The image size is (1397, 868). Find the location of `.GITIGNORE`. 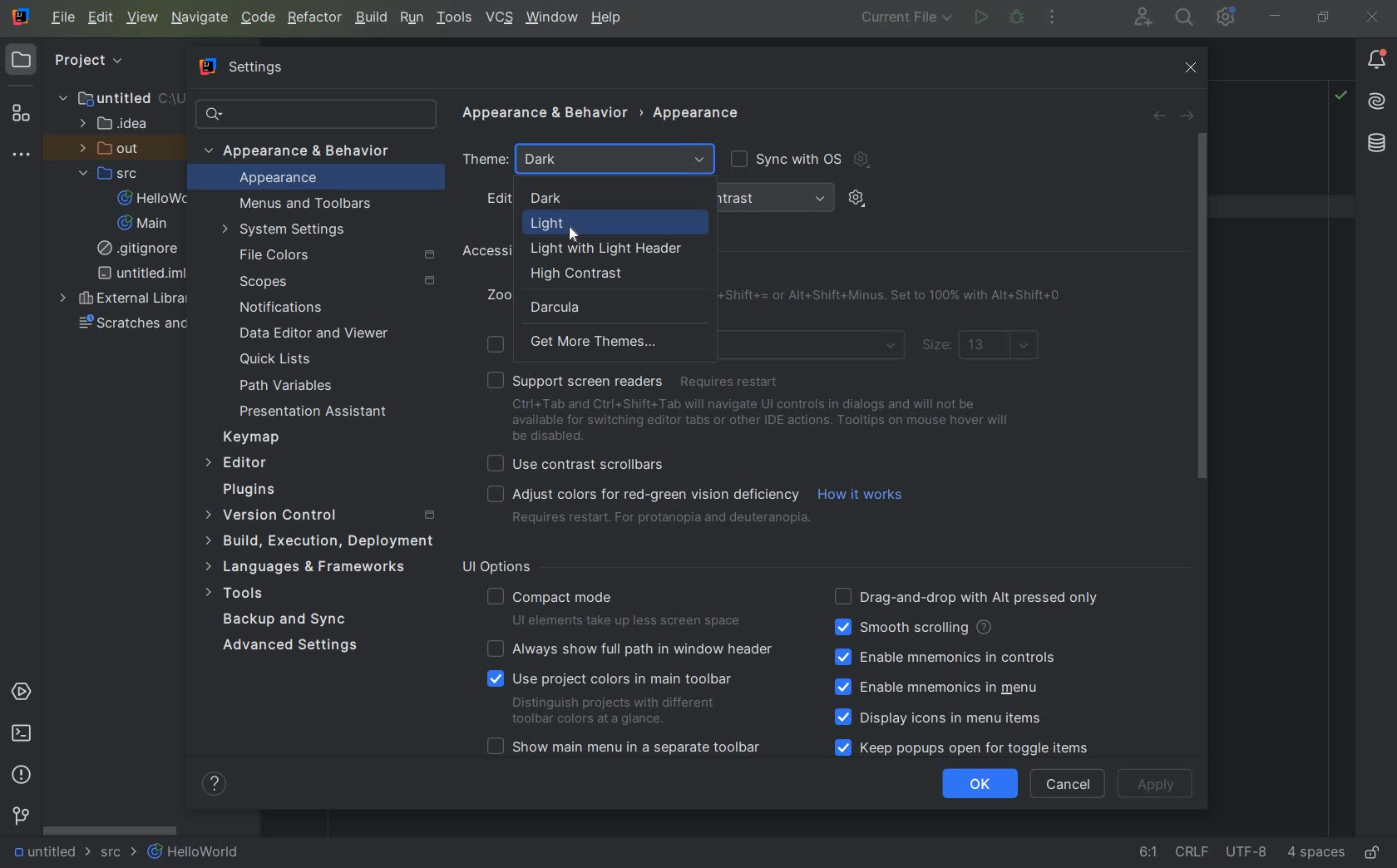

.GITIGNORE is located at coordinates (141, 250).